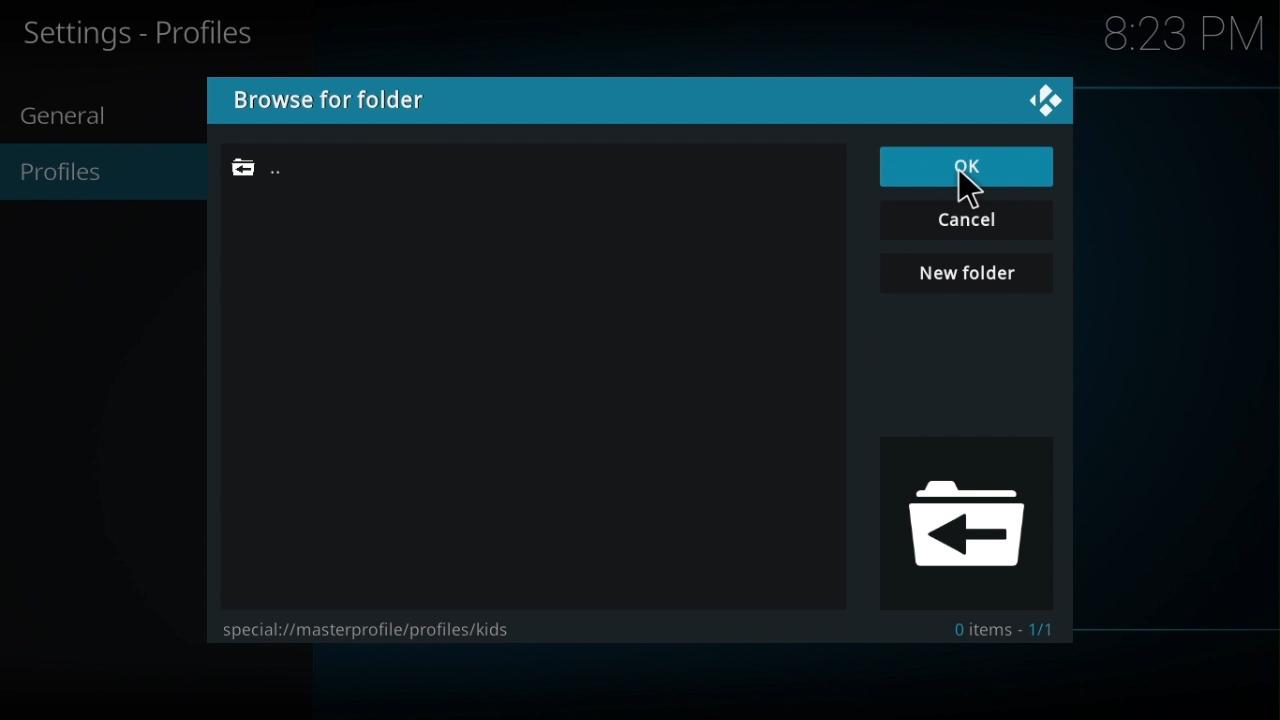  Describe the element at coordinates (968, 221) in the screenshot. I see `Cancel` at that location.